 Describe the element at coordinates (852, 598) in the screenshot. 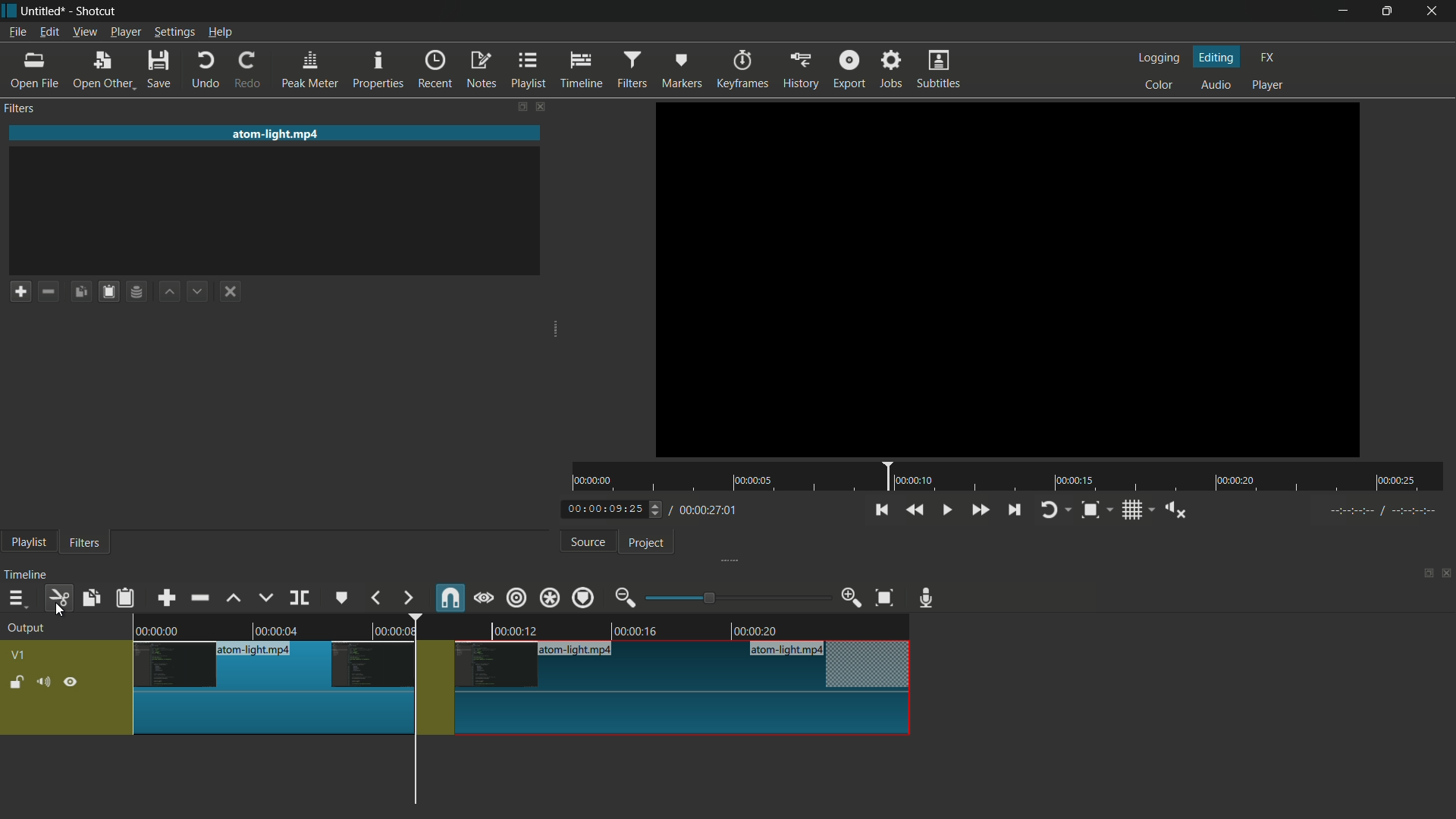

I see `zoom in` at that location.